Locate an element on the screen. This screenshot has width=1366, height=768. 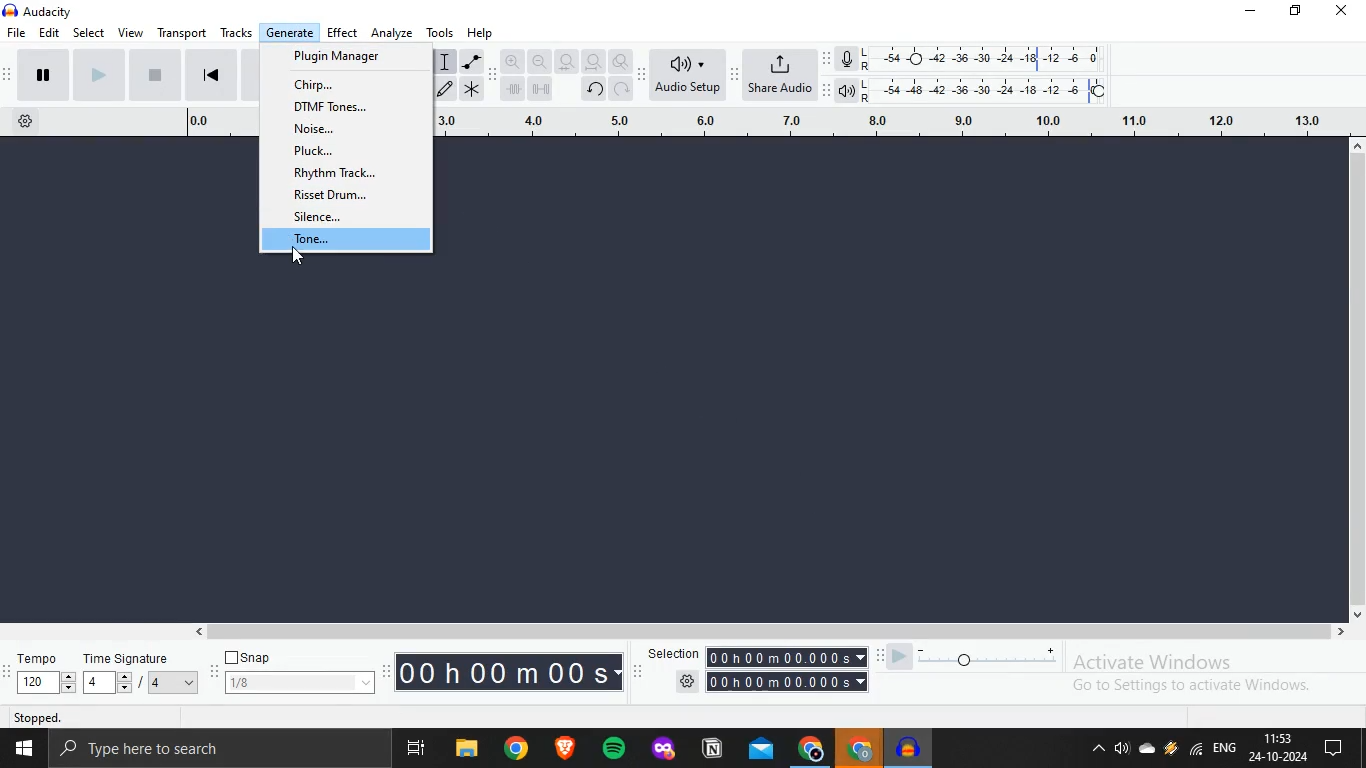
Play is located at coordinates (34, 76).